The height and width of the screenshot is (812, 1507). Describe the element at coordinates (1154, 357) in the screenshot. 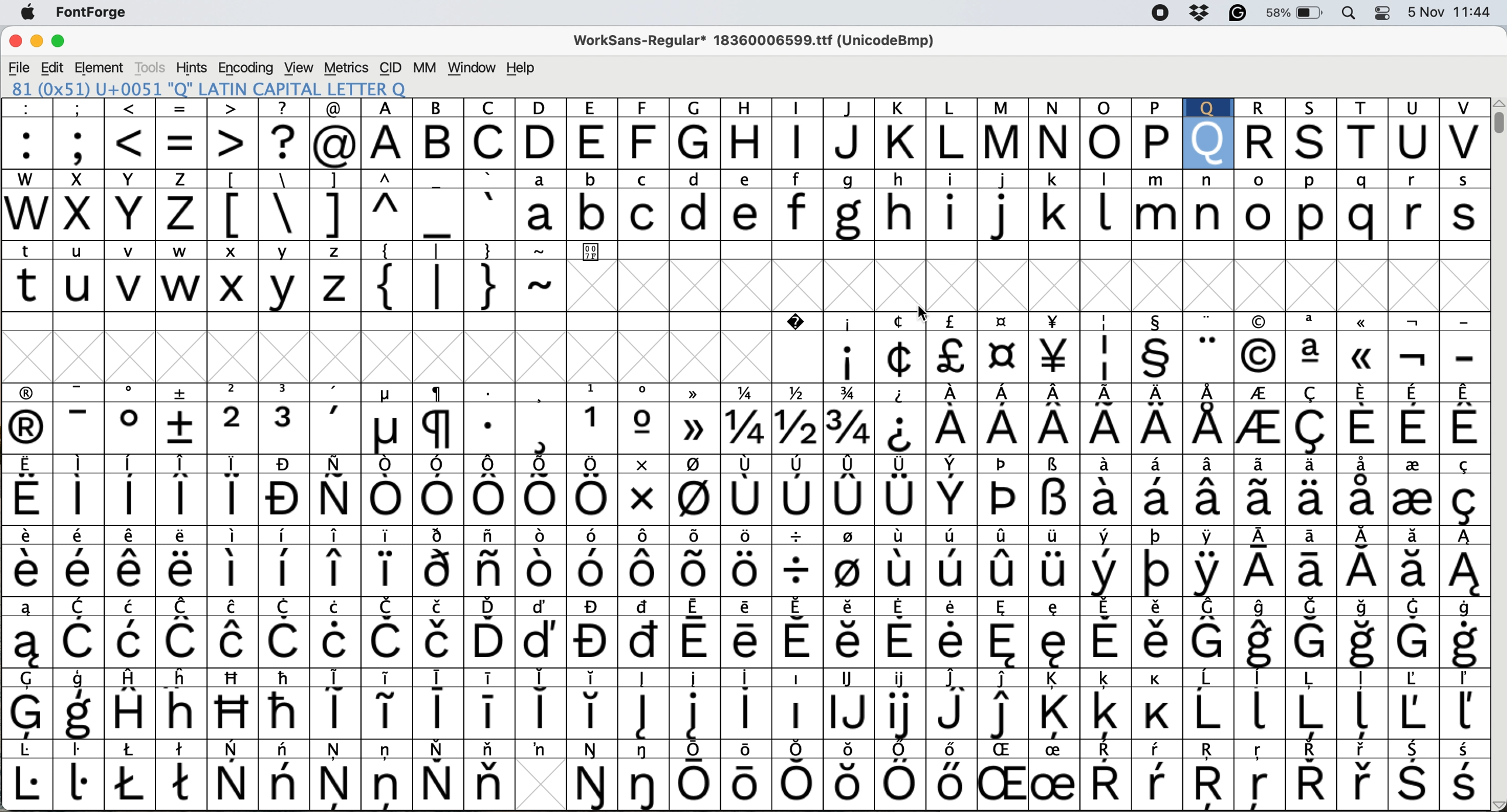

I see `special characters` at that location.